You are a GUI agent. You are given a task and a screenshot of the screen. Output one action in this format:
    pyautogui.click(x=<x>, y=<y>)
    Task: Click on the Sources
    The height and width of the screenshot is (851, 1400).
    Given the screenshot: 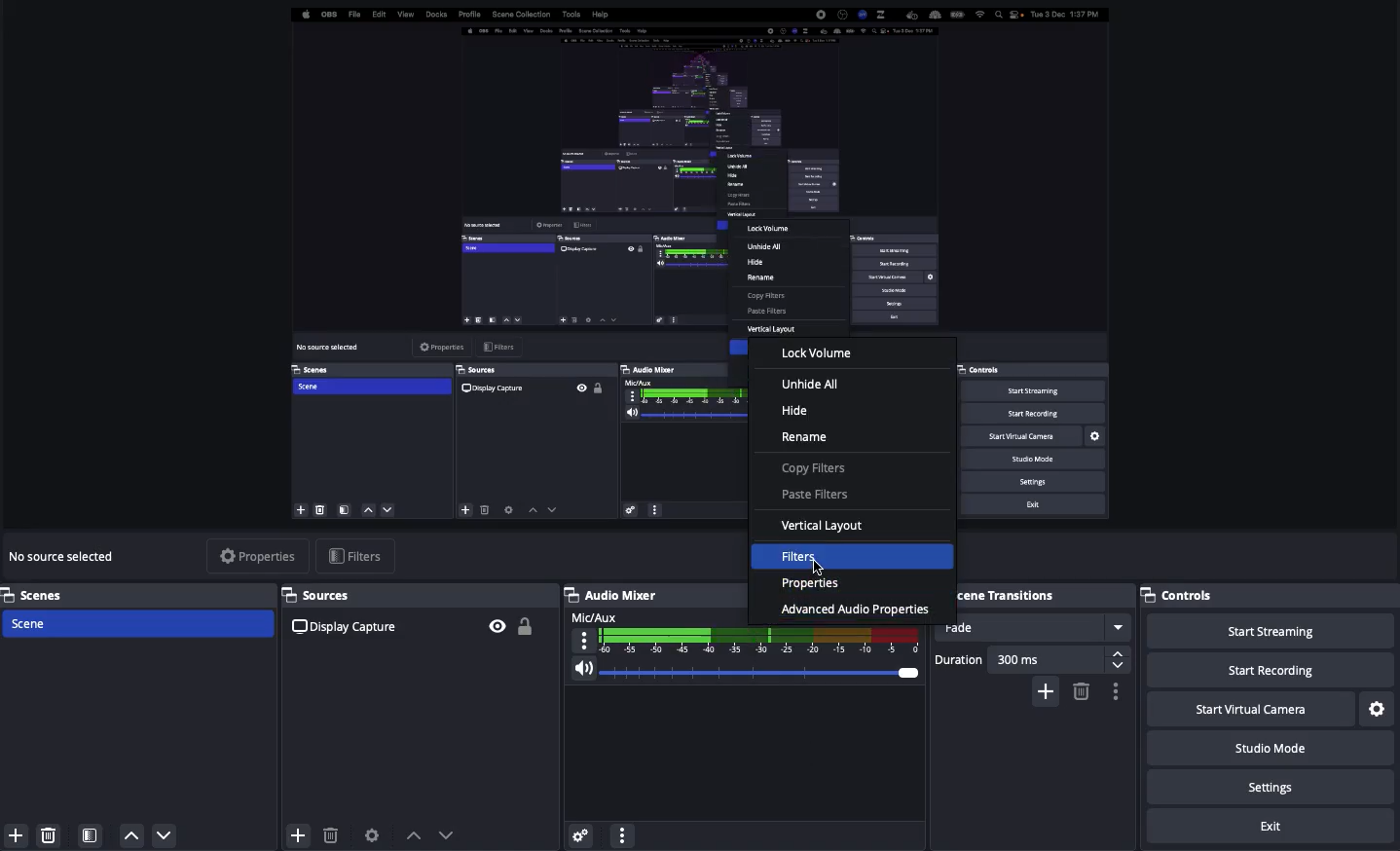 What is the action you would take?
    pyautogui.click(x=317, y=595)
    